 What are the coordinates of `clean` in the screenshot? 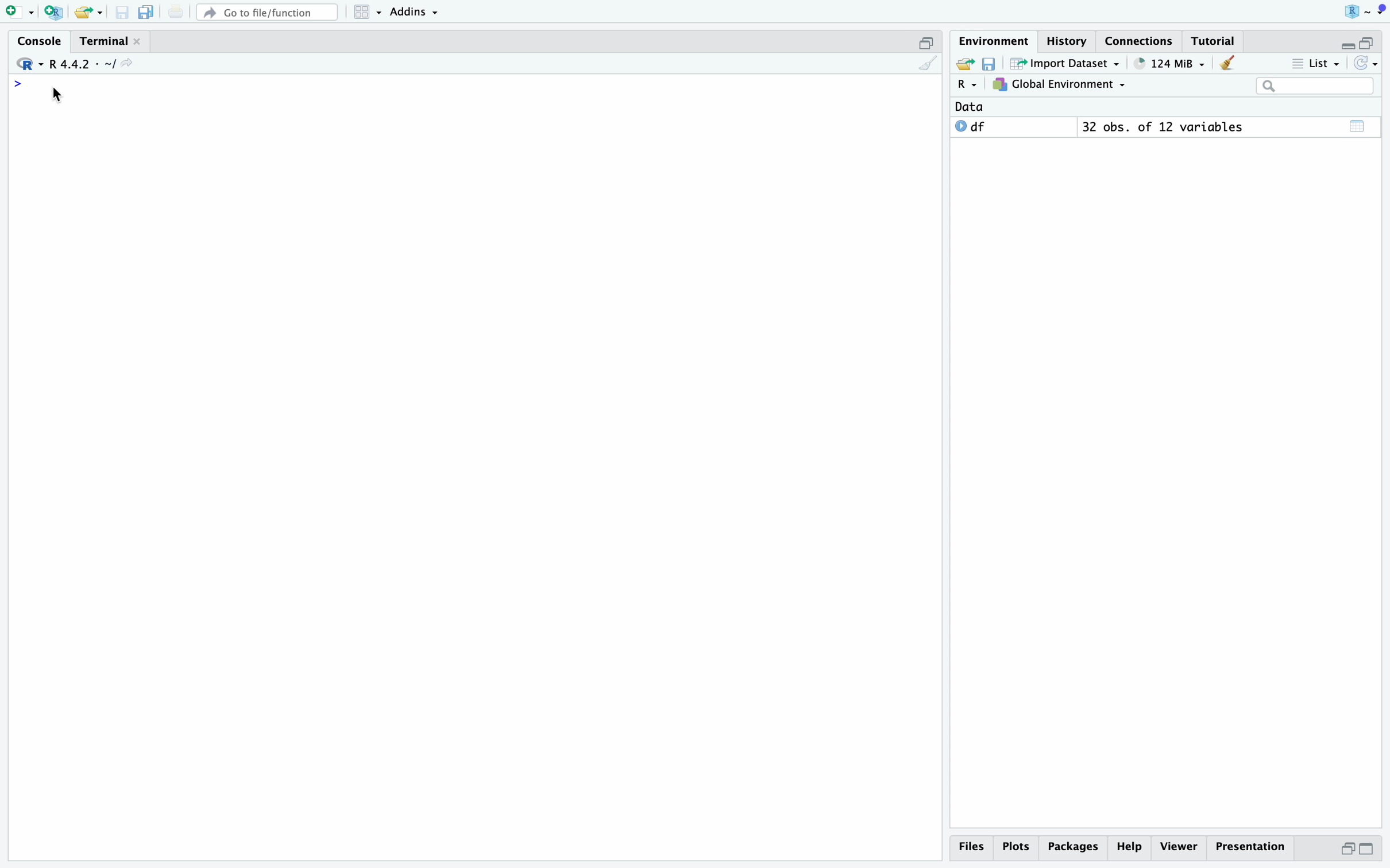 It's located at (1228, 63).